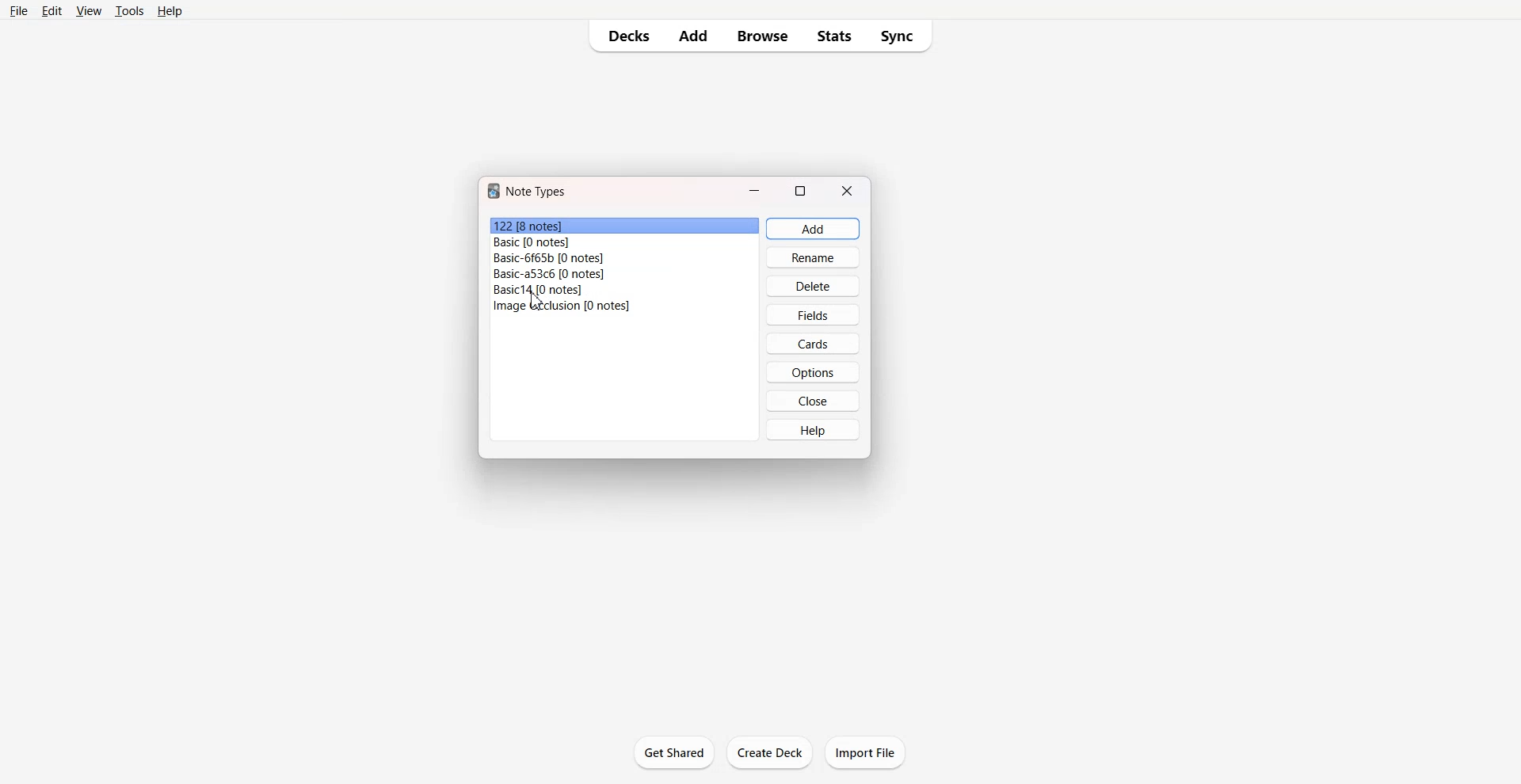 This screenshot has height=784, width=1521. I want to click on Browse, so click(763, 36).